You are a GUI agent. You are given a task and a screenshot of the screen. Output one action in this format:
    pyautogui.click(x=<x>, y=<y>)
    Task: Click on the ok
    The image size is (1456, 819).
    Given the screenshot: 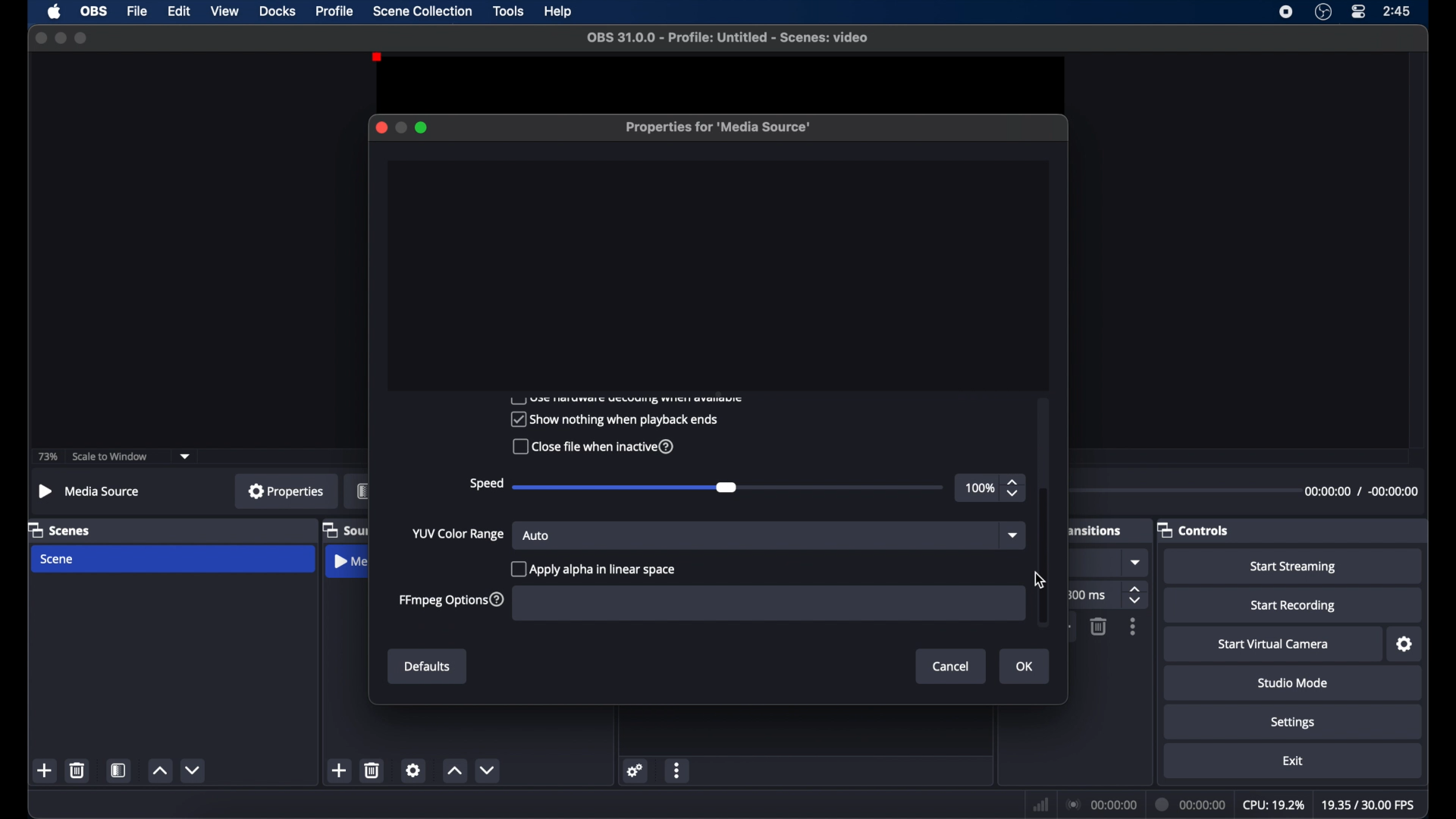 What is the action you would take?
    pyautogui.click(x=1027, y=667)
    